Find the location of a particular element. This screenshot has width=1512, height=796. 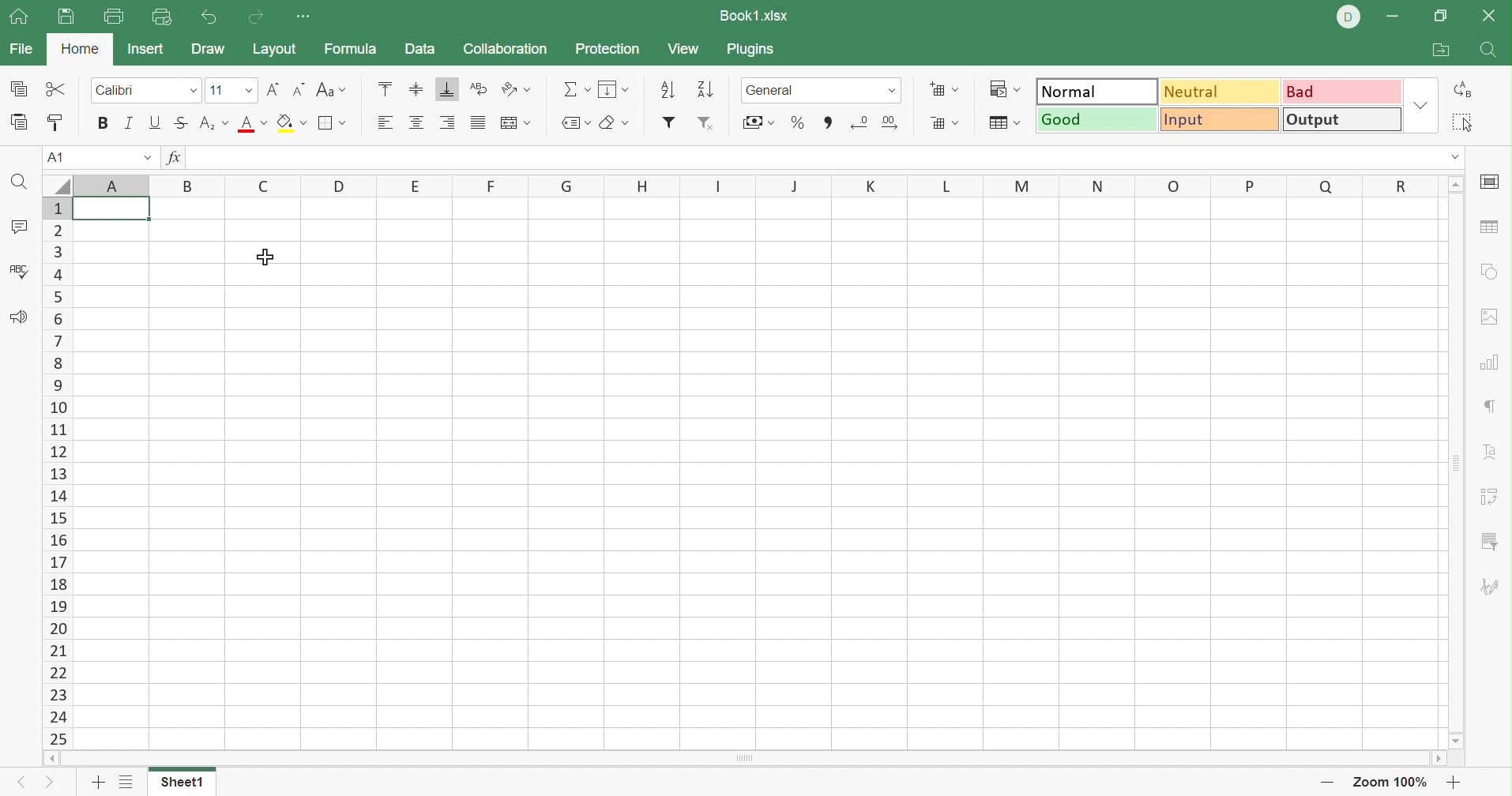

Summation is located at coordinates (574, 89).